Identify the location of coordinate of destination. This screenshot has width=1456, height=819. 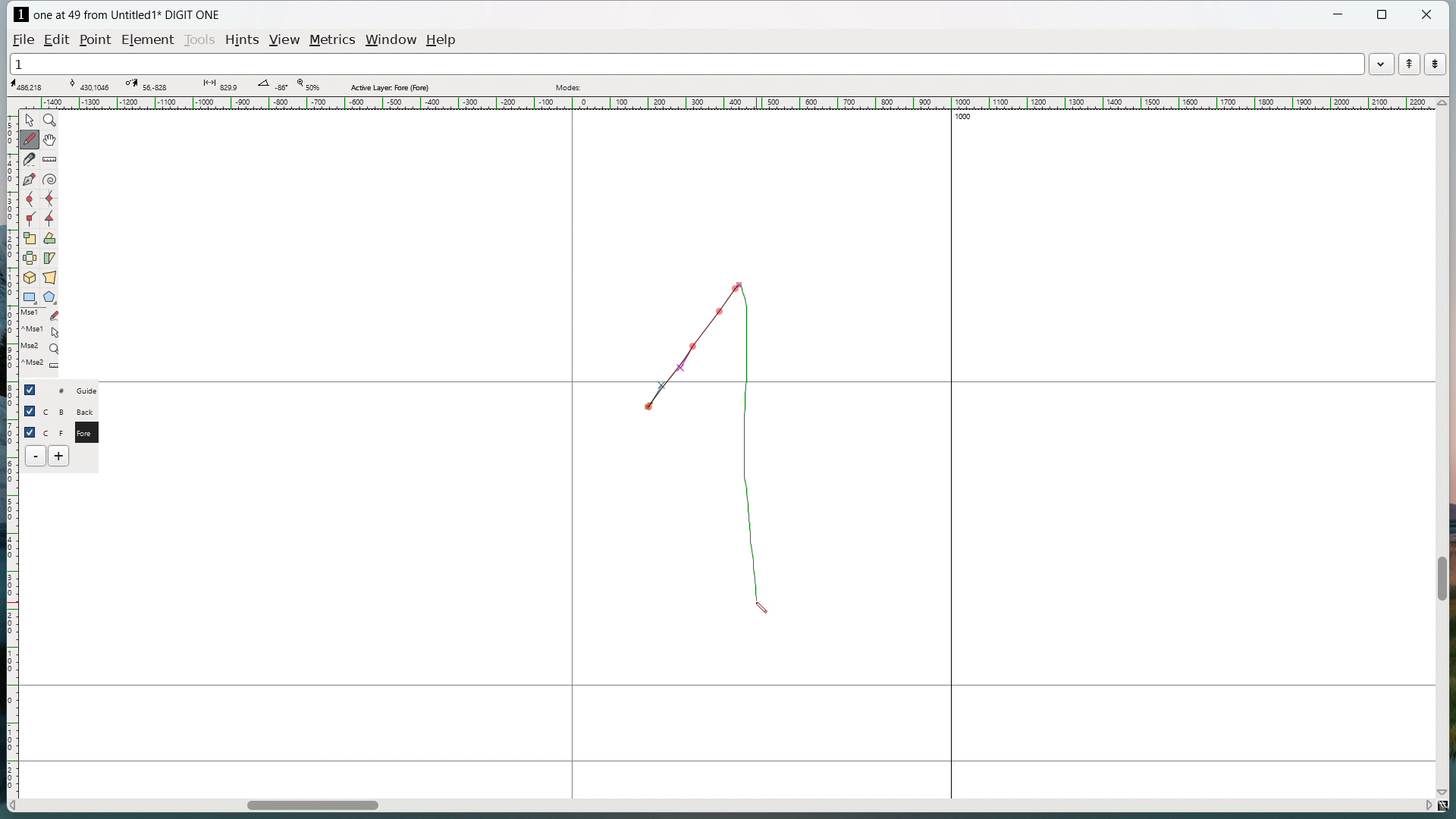
(146, 85).